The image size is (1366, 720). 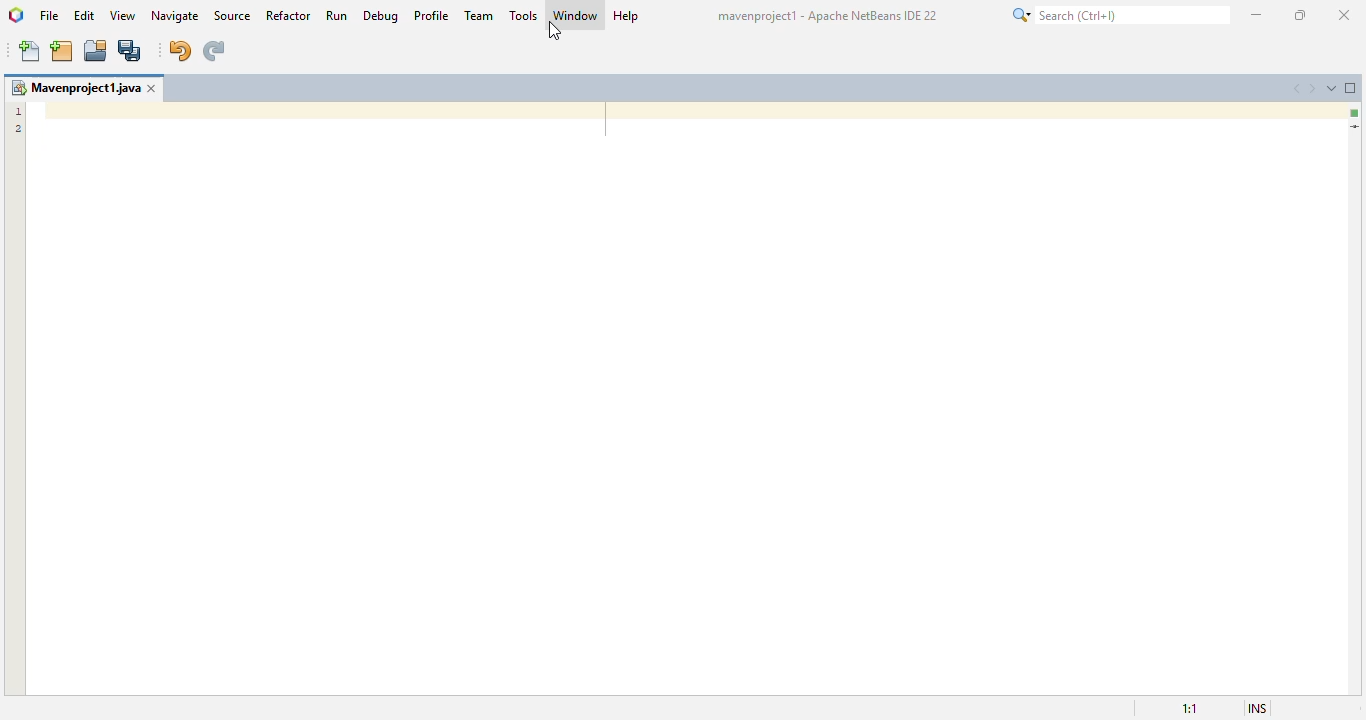 What do you see at coordinates (1183, 706) in the screenshot?
I see `magnification ratio` at bounding box center [1183, 706].